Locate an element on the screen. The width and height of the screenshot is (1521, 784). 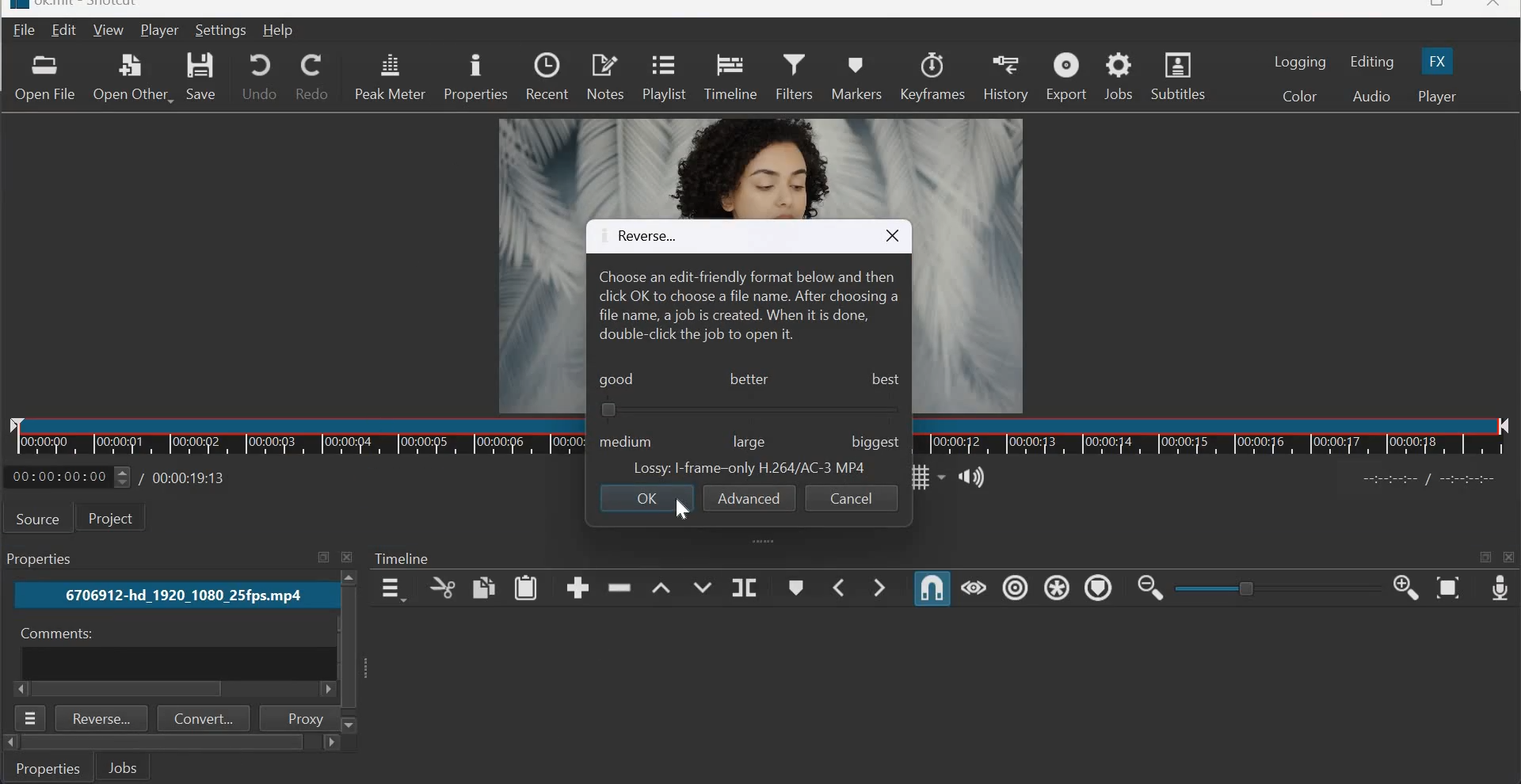
better is located at coordinates (749, 378).